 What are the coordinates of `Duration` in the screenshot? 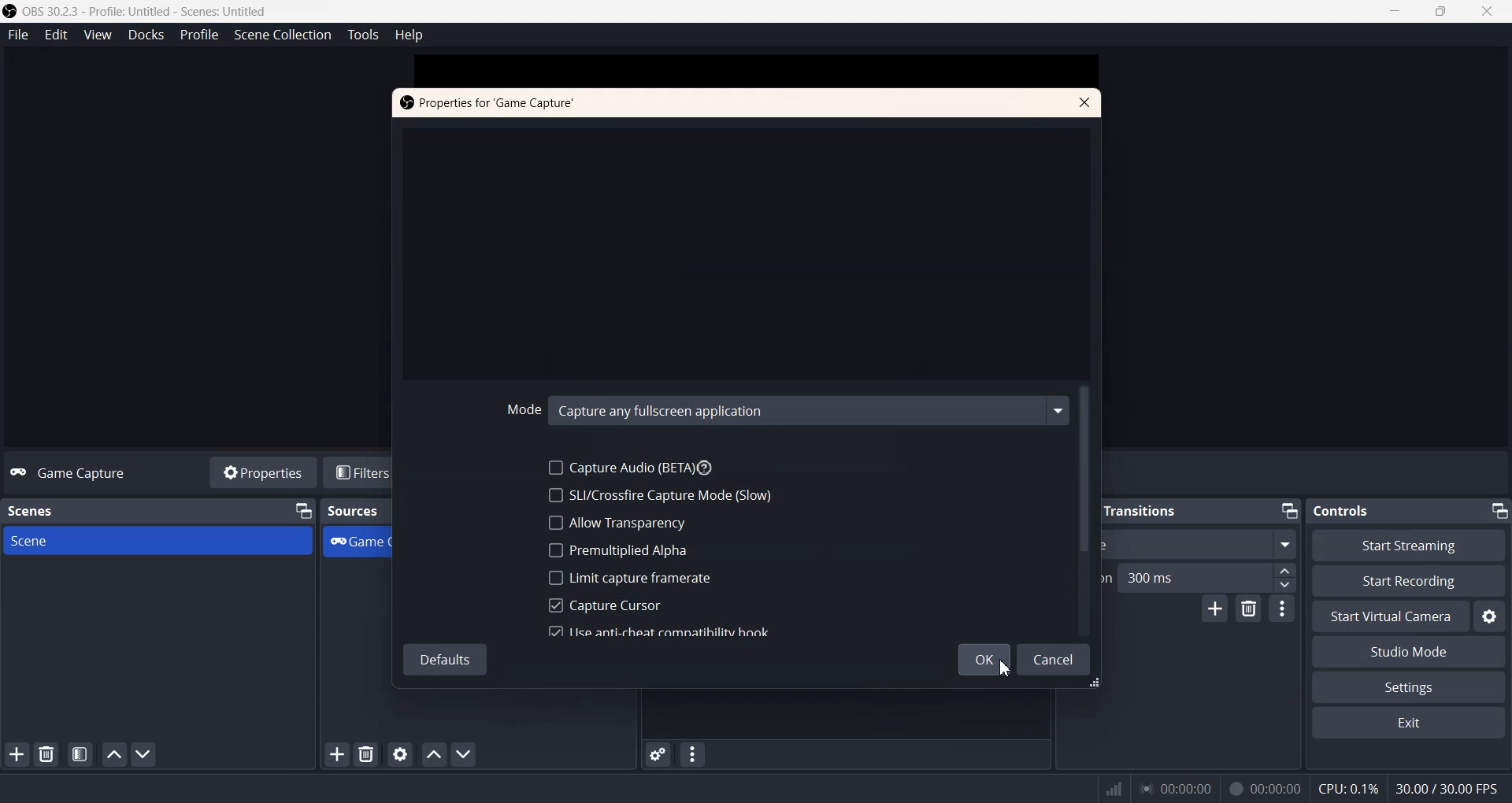 It's located at (1199, 578).